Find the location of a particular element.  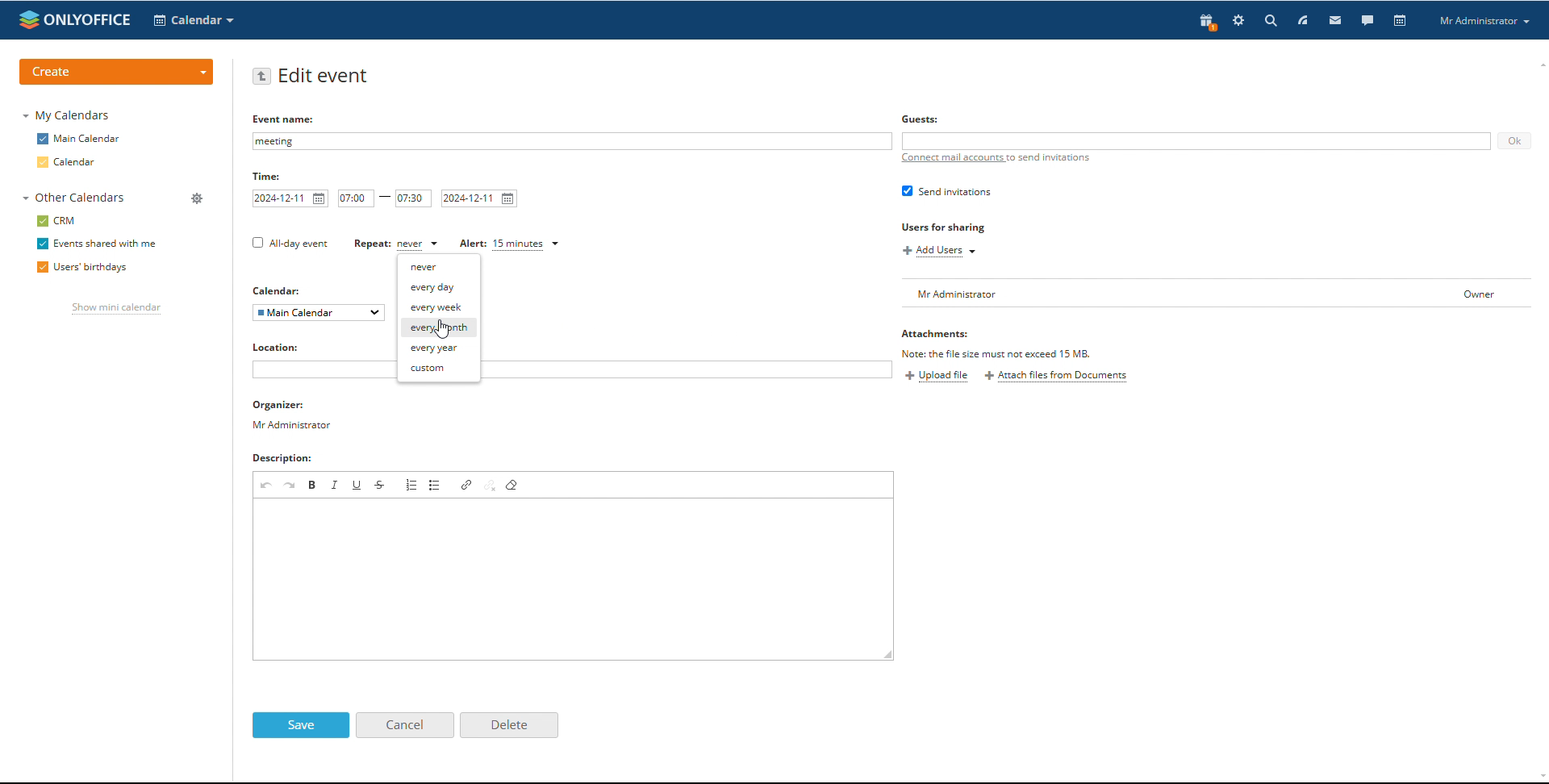

organizer is located at coordinates (293, 407).